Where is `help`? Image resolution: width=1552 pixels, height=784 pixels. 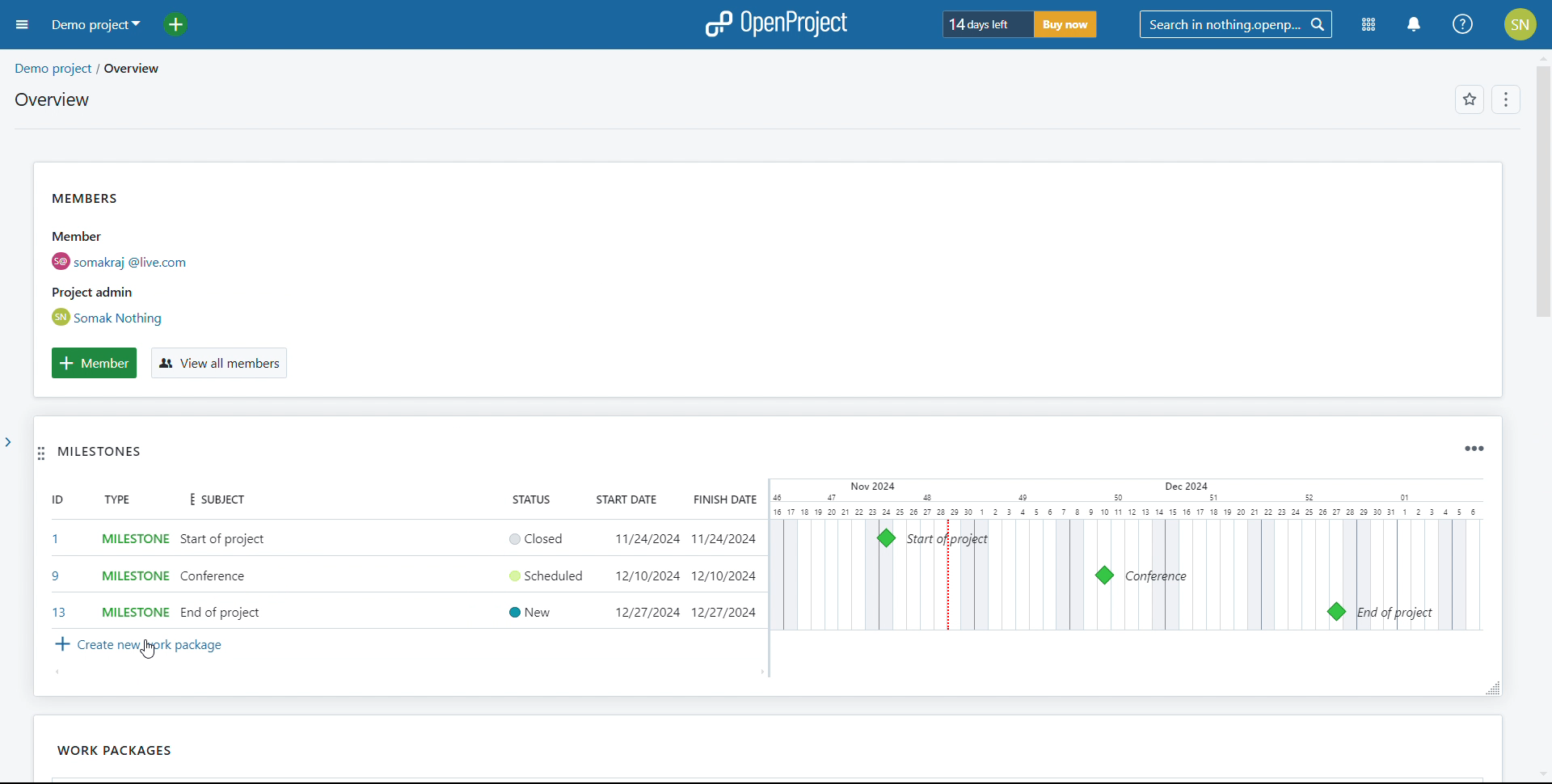
help is located at coordinates (1464, 24).